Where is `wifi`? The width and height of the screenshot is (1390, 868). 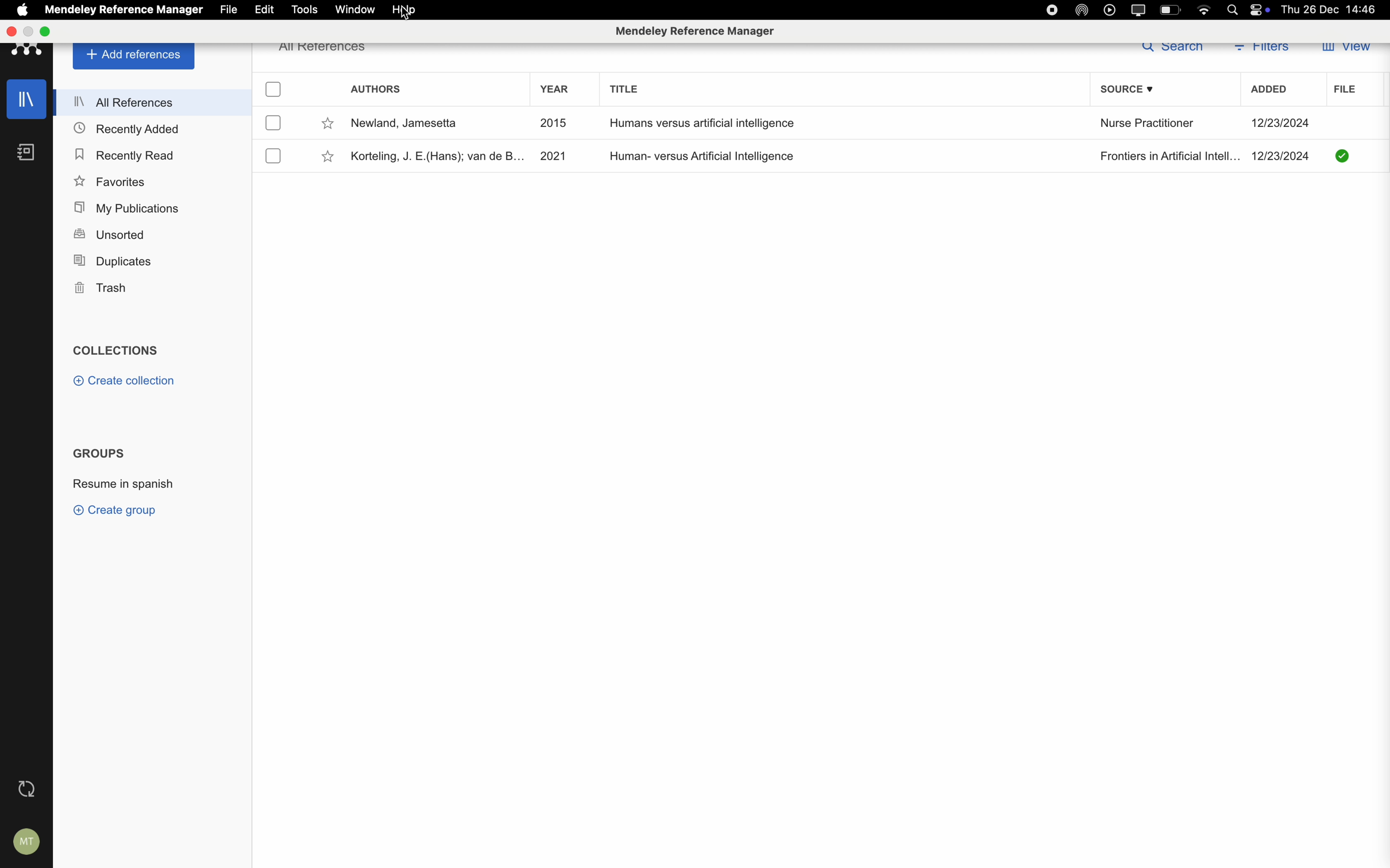
wifi is located at coordinates (1207, 10).